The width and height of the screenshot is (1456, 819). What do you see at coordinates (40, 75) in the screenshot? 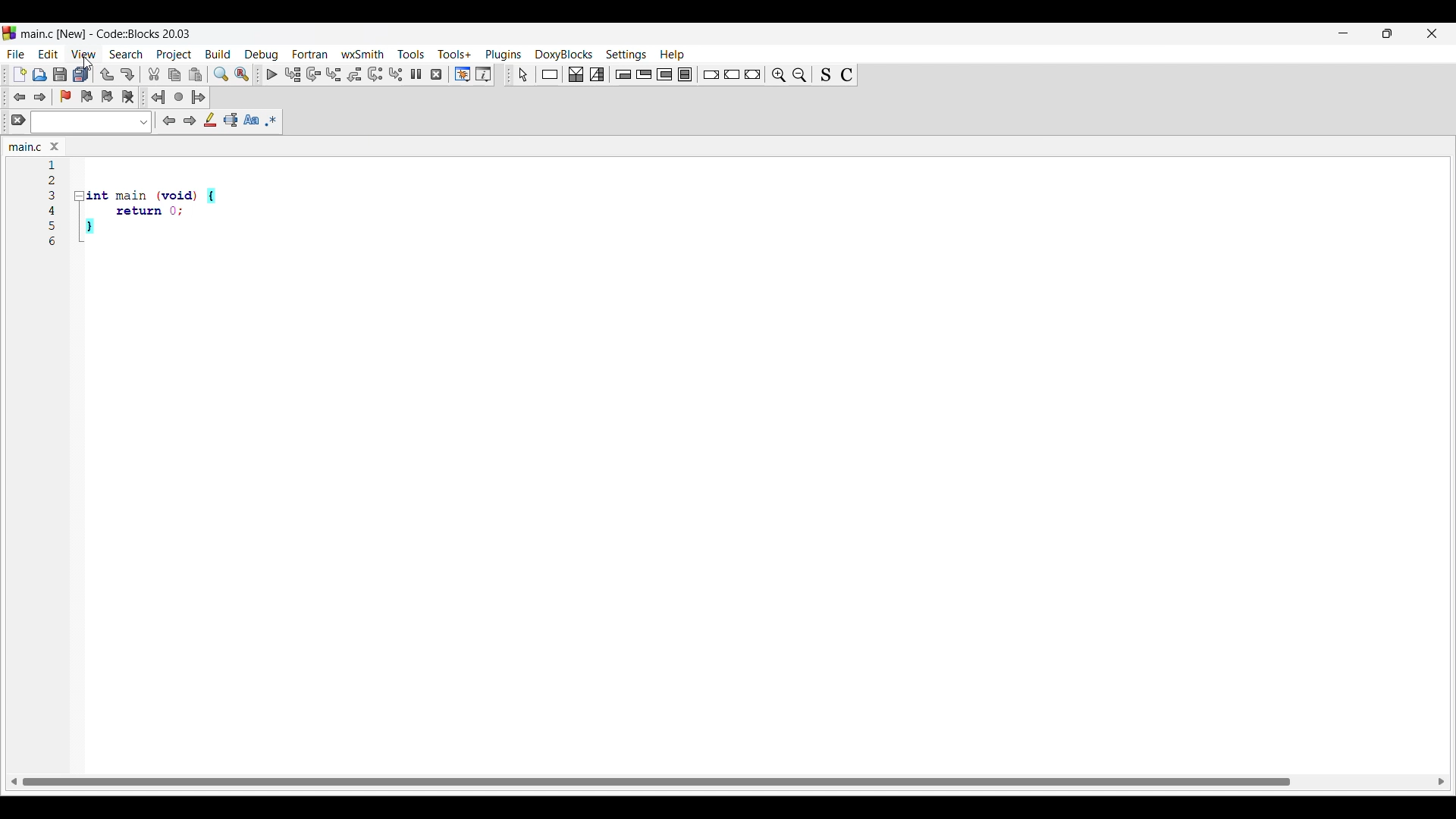
I see `Open` at bounding box center [40, 75].